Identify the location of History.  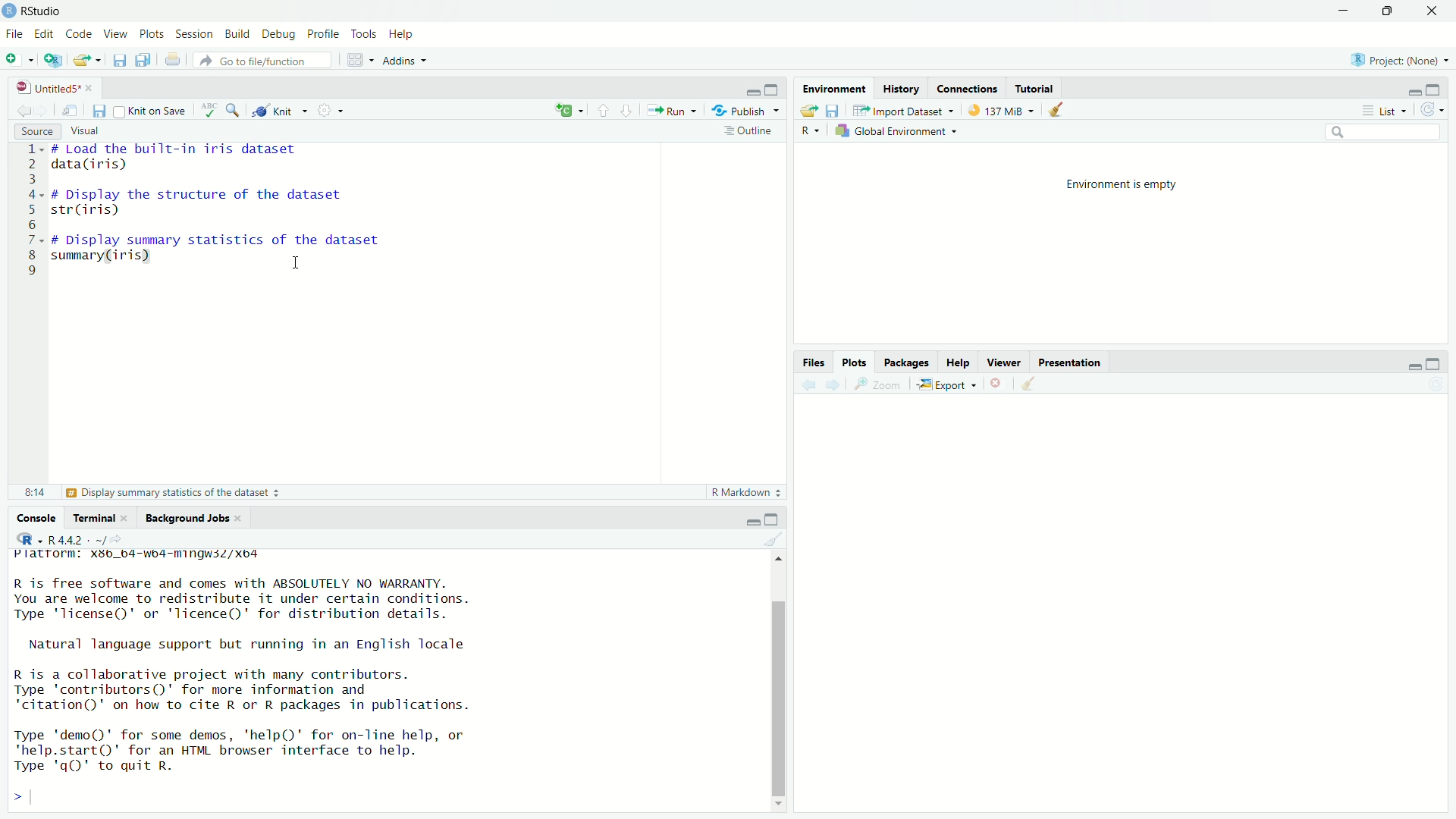
(900, 89).